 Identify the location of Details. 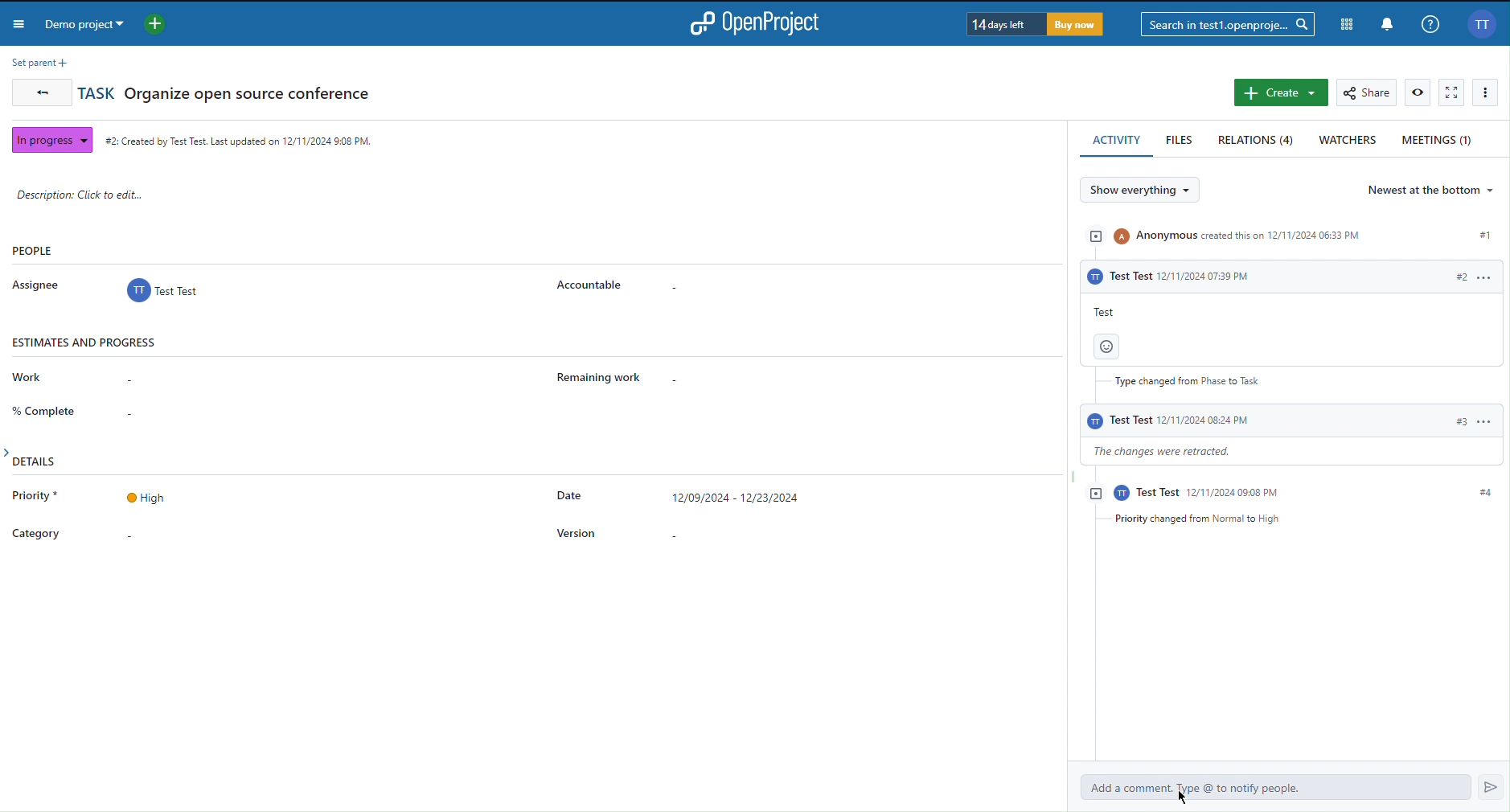
(446, 511).